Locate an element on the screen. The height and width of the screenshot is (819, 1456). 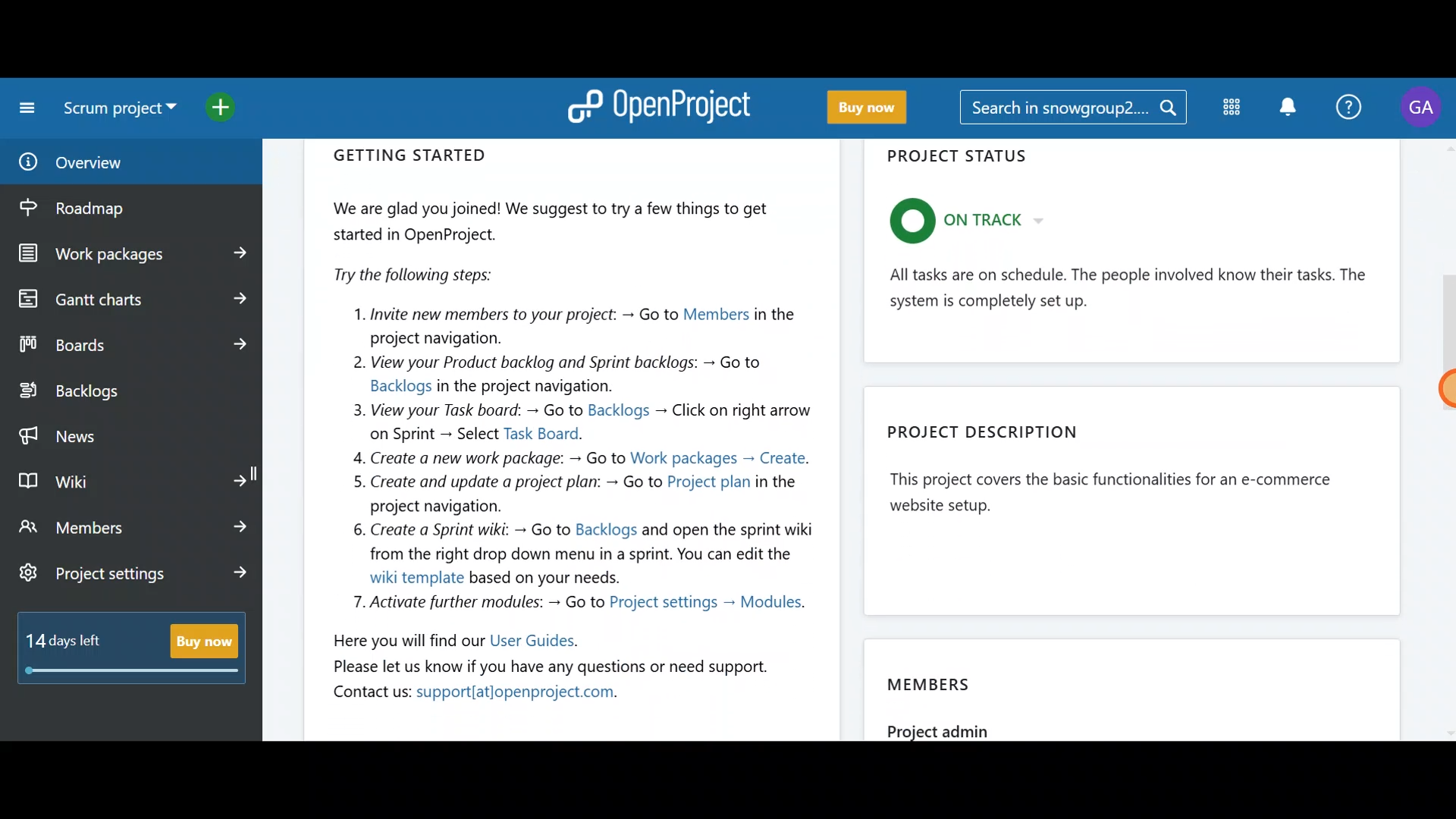
Wiki is located at coordinates (131, 478).